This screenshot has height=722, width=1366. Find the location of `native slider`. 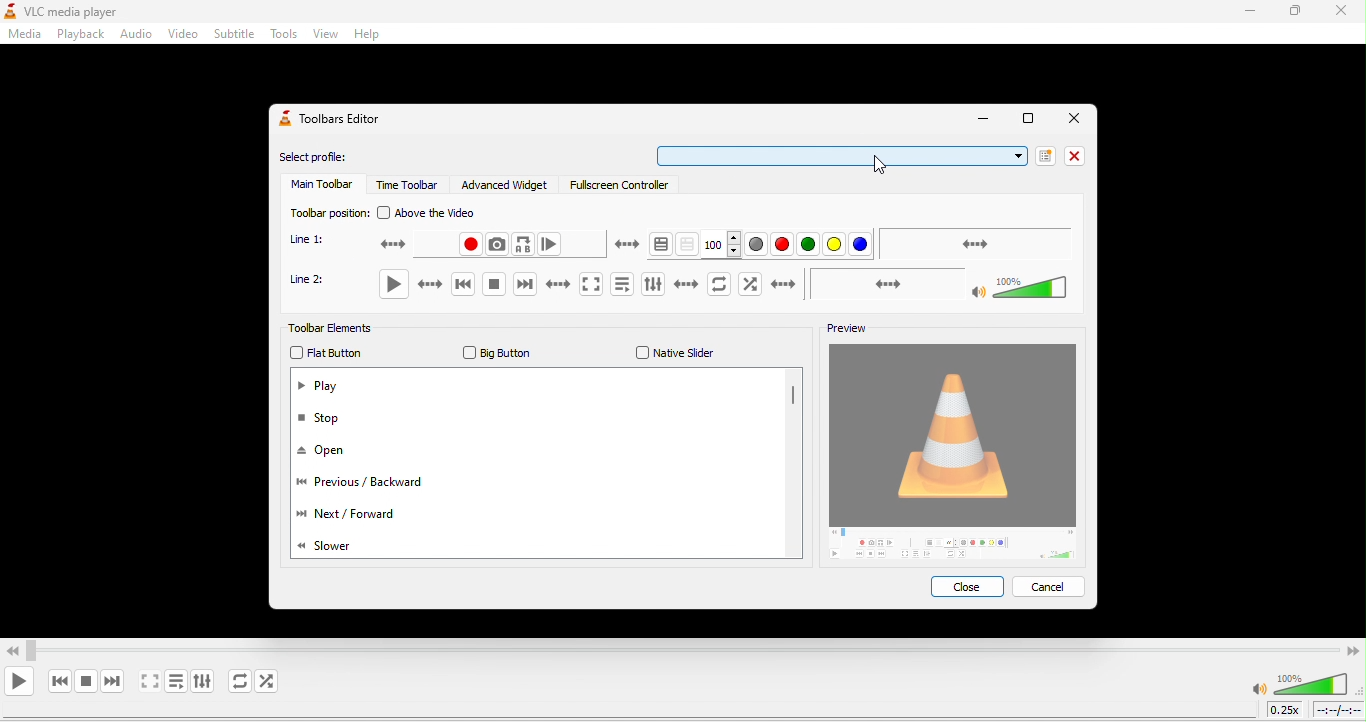

native slider is located at coordinates (678, 353).